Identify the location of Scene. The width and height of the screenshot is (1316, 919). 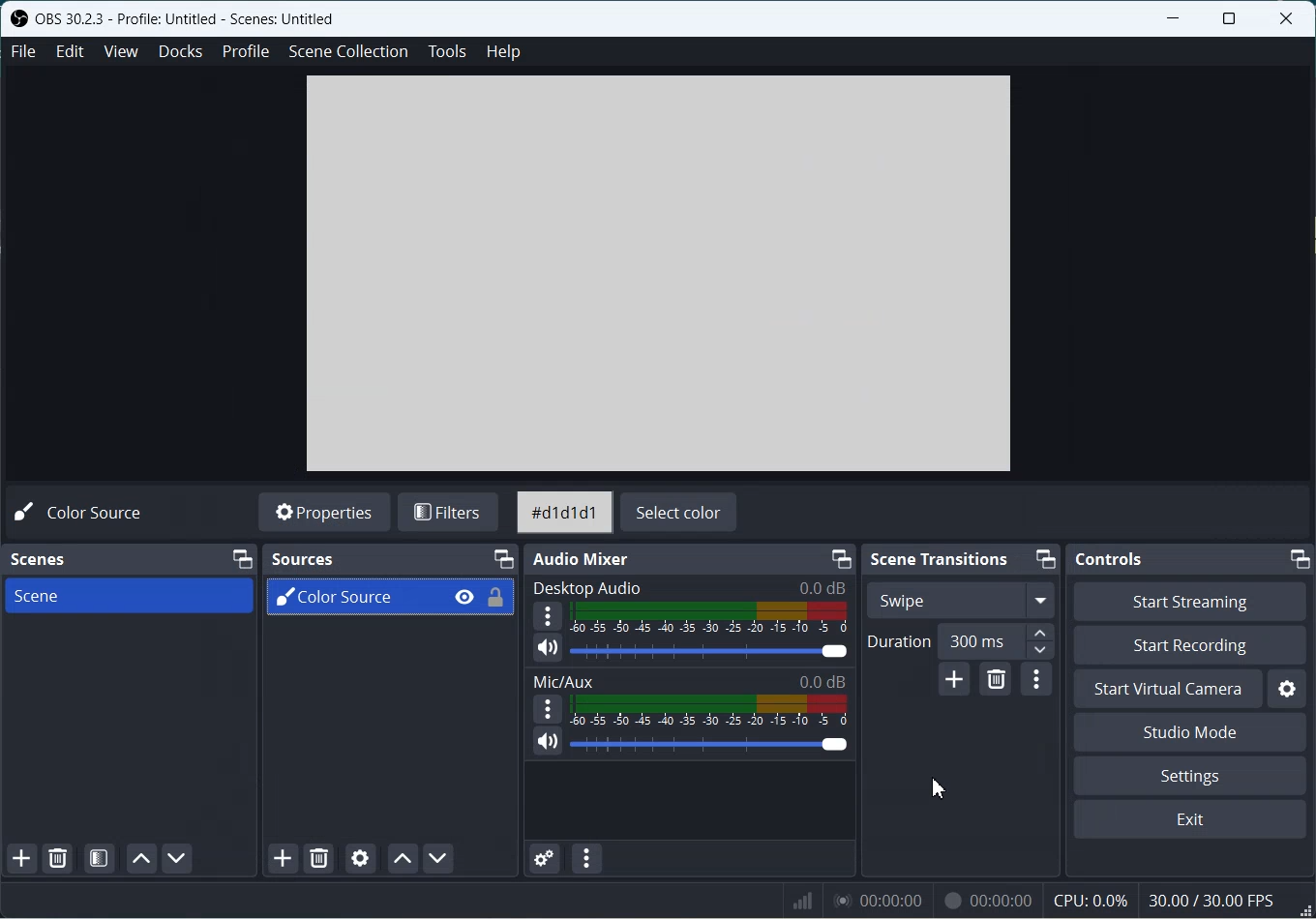
(128, 598).